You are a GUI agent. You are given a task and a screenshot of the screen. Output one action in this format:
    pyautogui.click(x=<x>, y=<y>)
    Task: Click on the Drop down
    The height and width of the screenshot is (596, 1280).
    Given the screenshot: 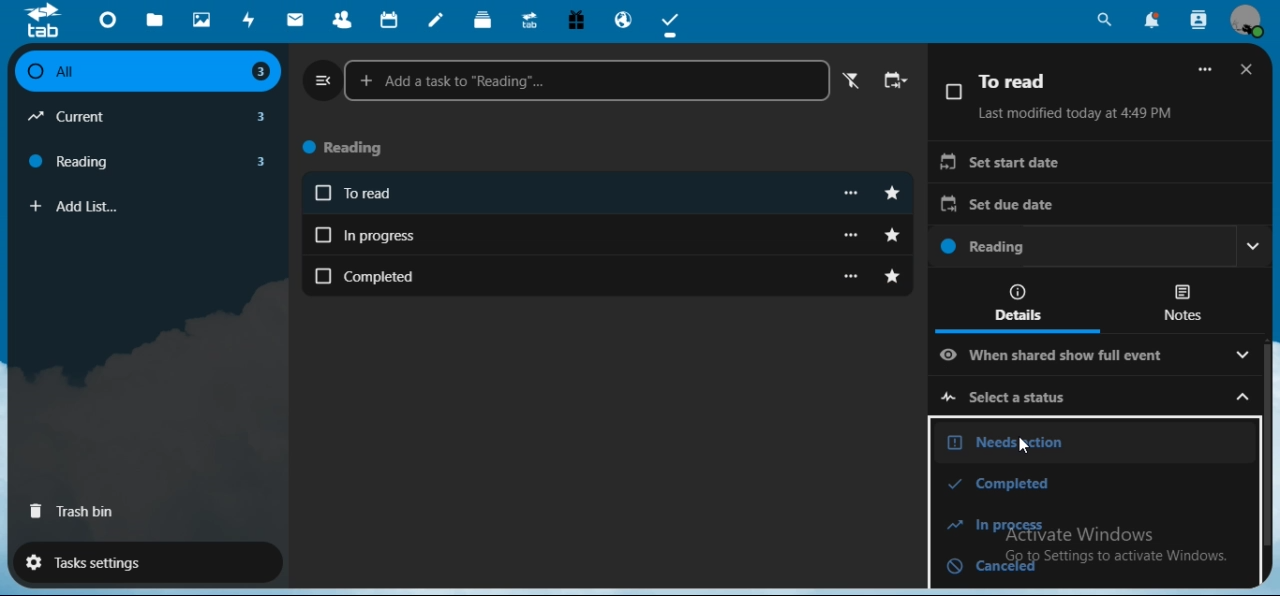 What is the action you would take?
    pyautogui.click(x=1254, y=246)
    